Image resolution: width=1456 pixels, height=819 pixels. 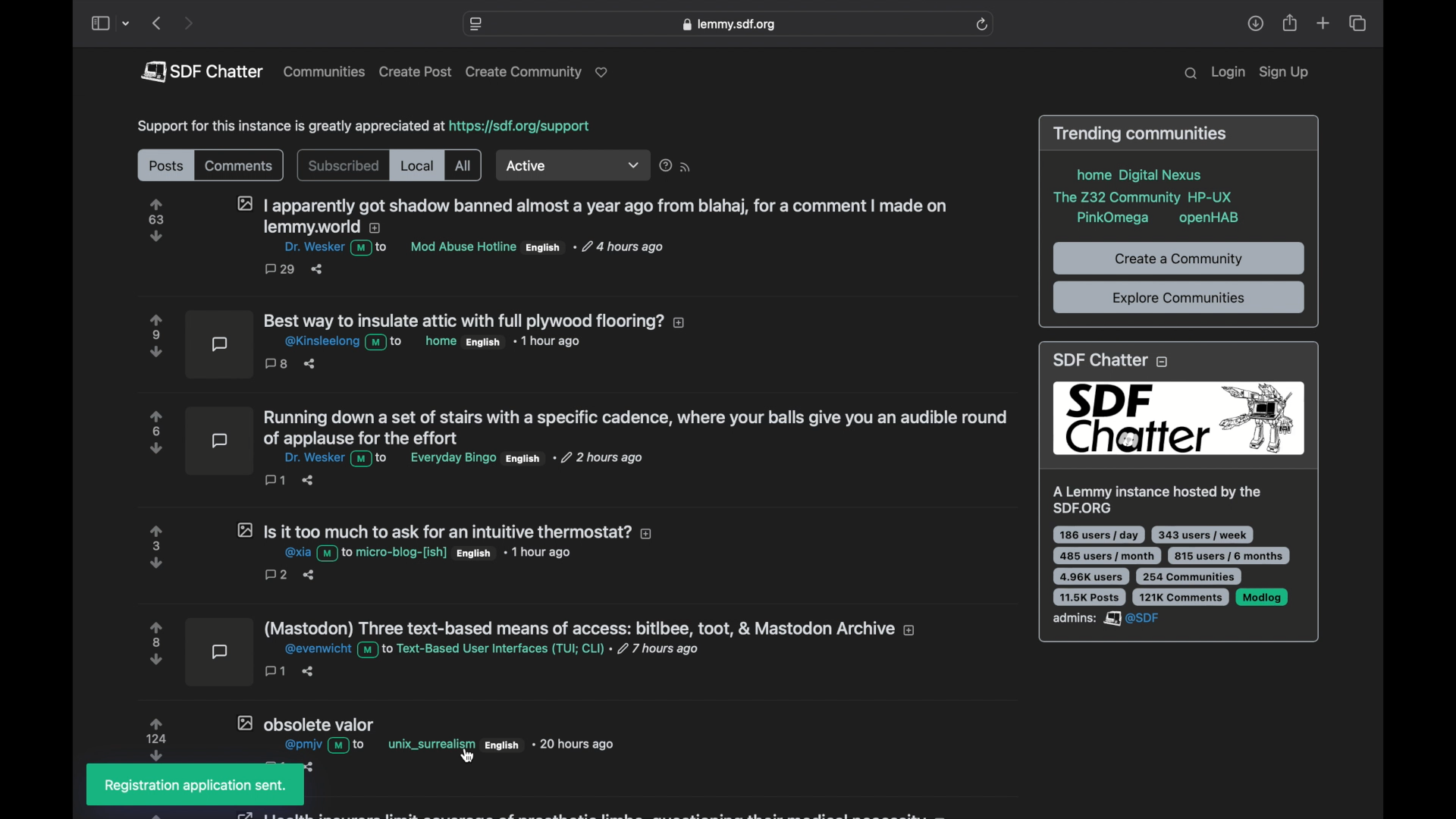 What do you see at coordinates (1228, 73) in the screenshot?
I see `login` at bounding box center [1228, 73].